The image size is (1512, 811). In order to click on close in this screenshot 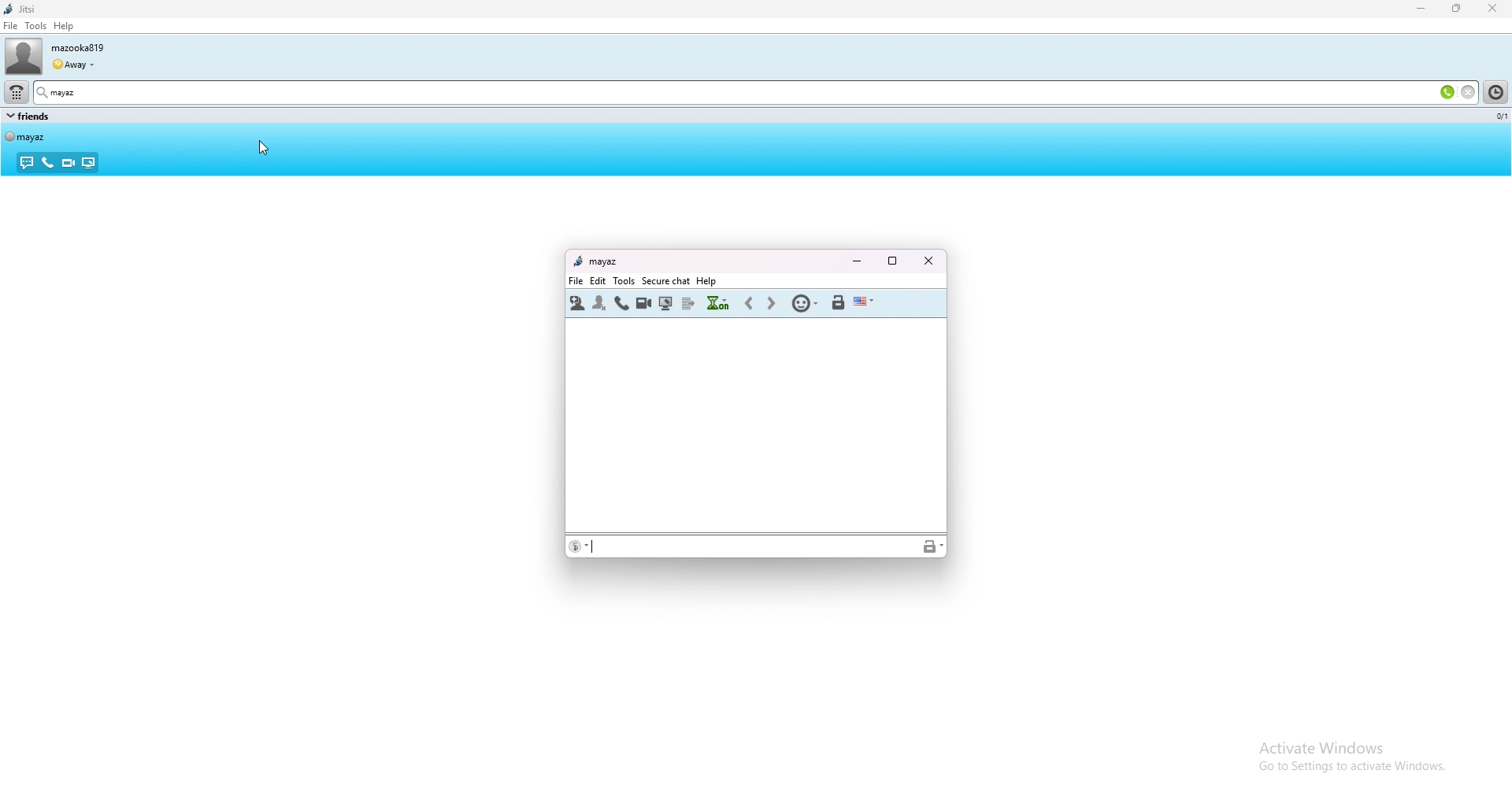, I will do `click(1495, 8)`.